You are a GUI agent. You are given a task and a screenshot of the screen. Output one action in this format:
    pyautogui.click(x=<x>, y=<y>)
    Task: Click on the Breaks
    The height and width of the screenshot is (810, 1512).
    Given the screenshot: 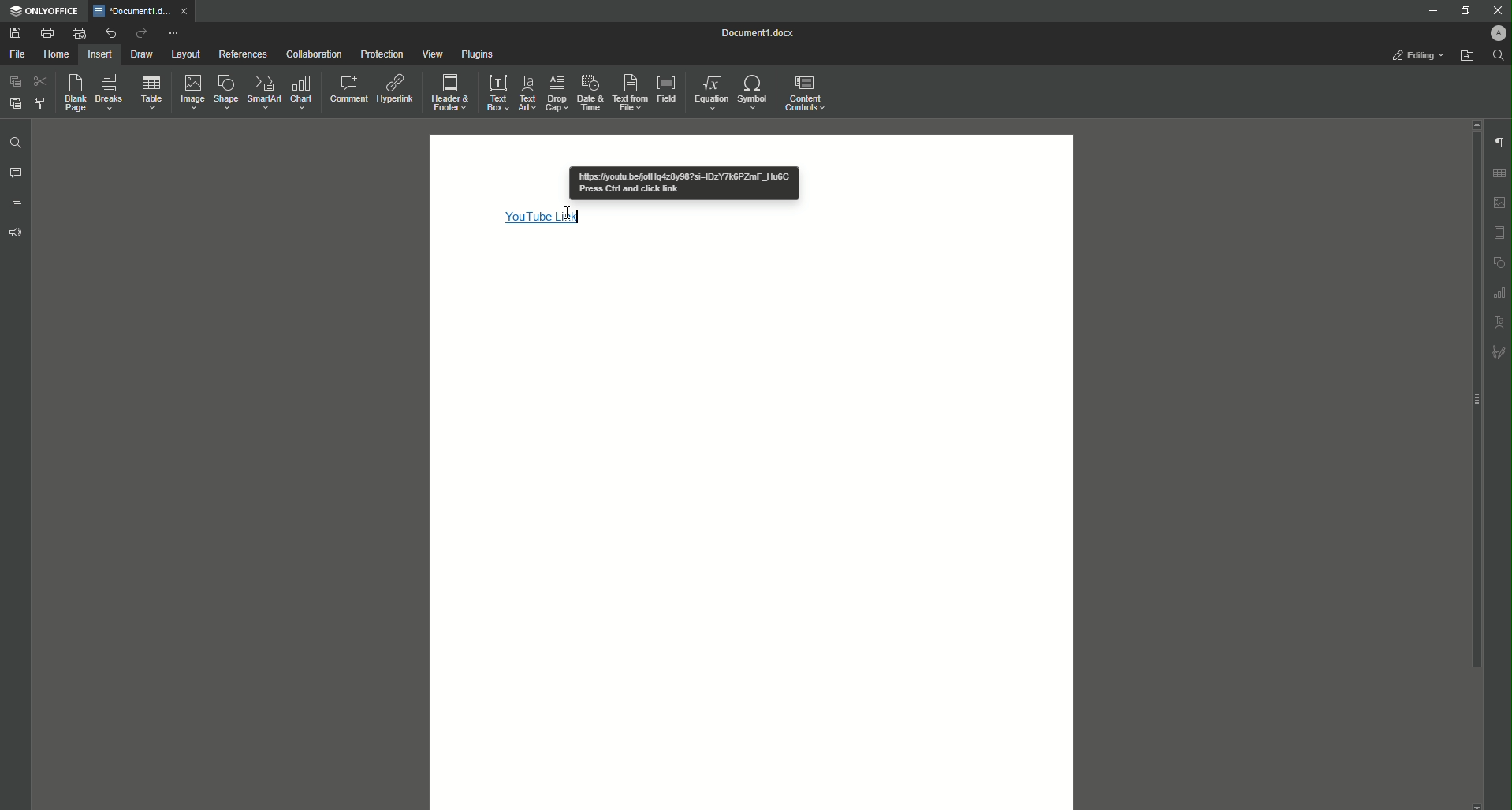 What is the action you would take?
    pyautogui.click(x=111, y=91)
    